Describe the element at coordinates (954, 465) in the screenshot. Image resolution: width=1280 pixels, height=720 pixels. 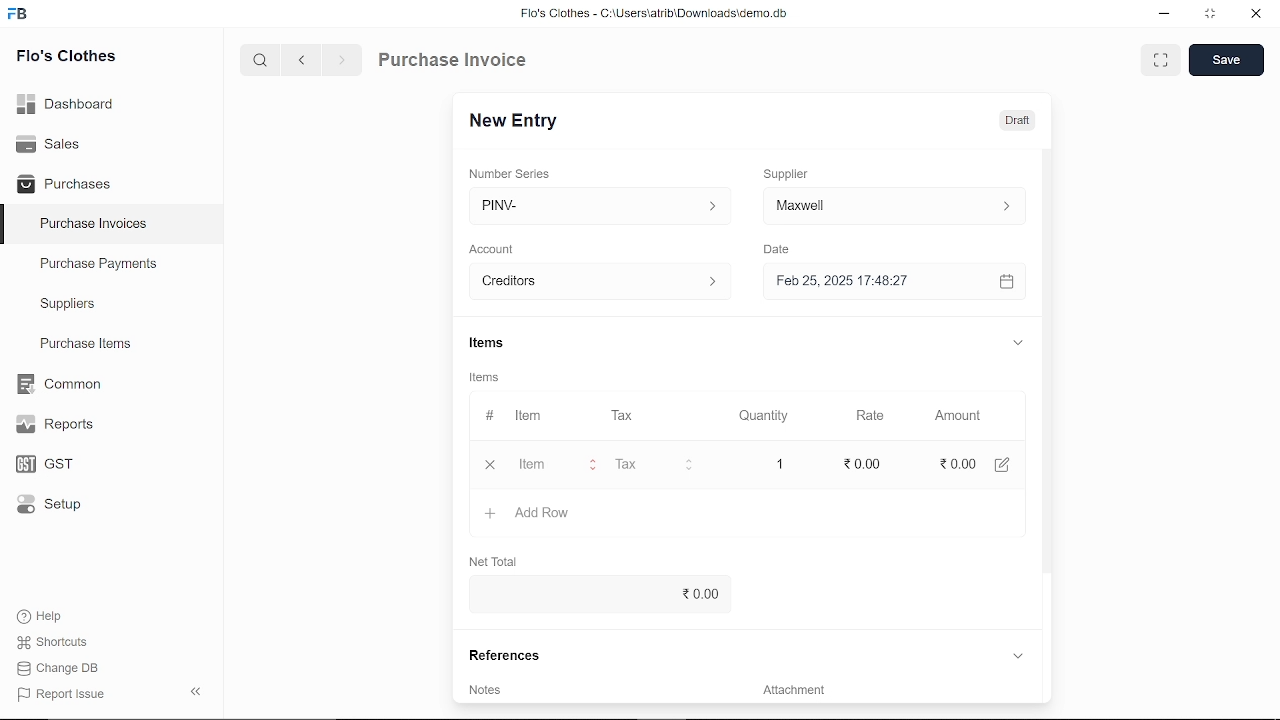
I see `0.00` at that location.